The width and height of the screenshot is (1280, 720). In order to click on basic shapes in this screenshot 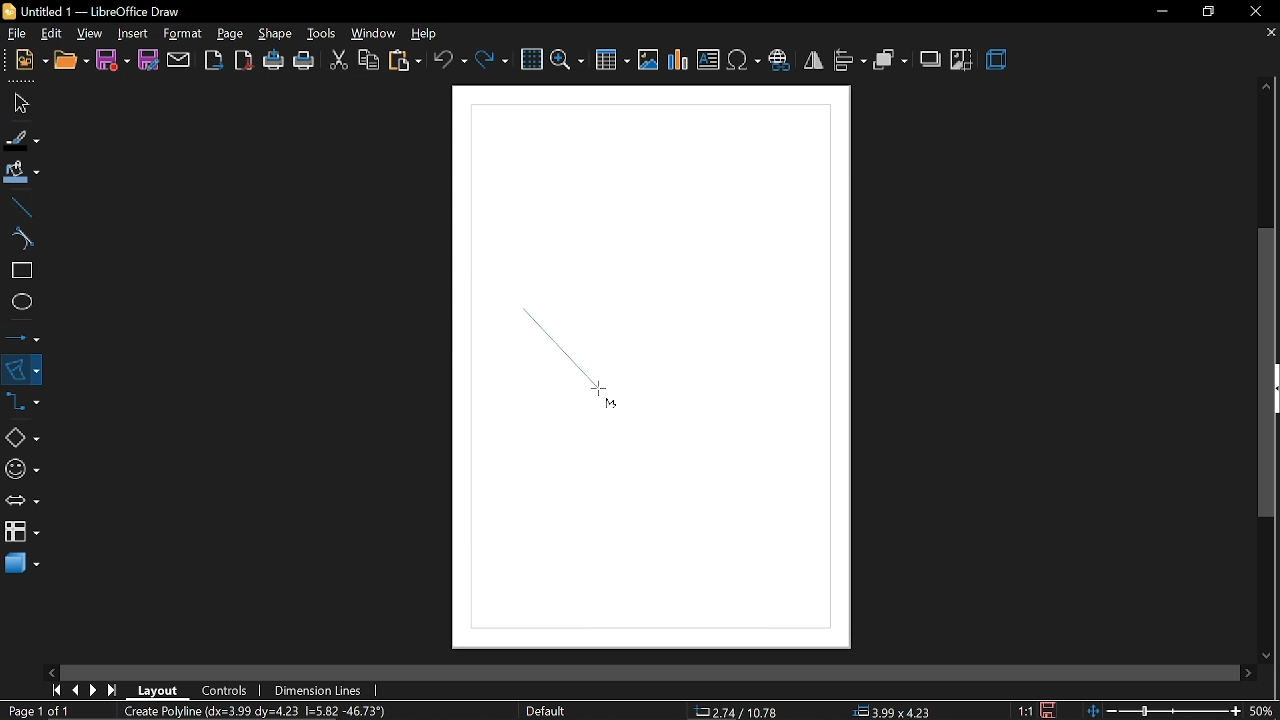, I will do `click(21, 439)`.